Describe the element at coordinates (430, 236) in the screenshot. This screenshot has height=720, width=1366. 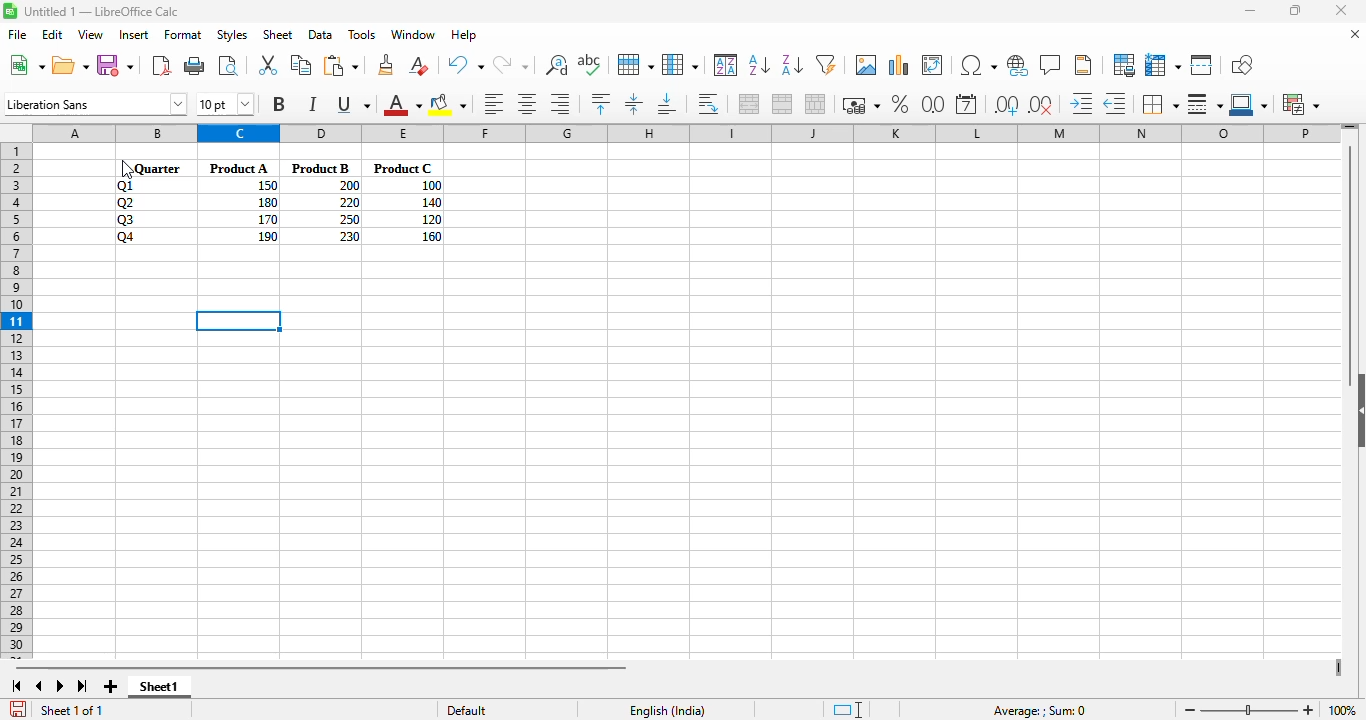
I see `160` at that location.